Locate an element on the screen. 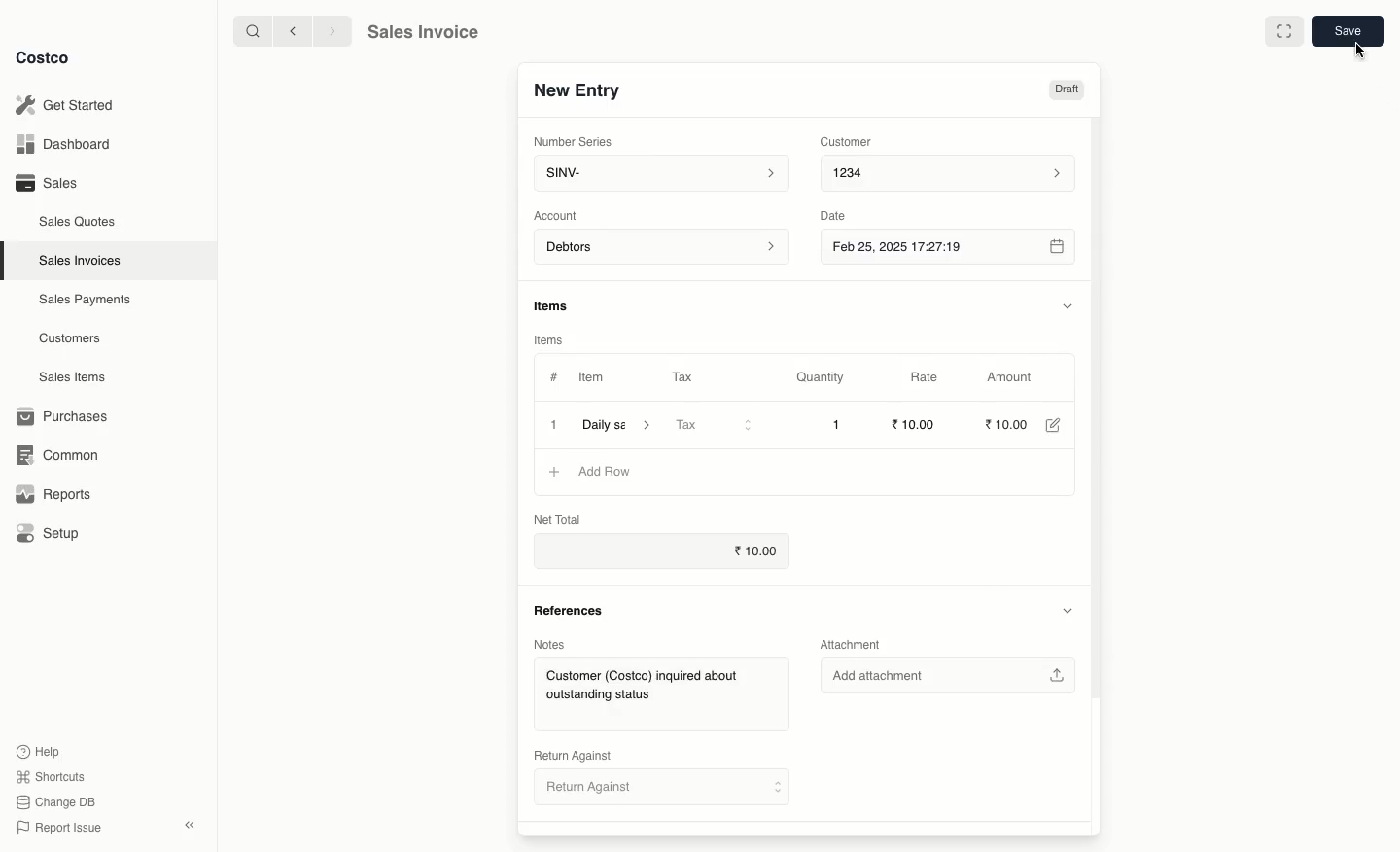 Image resolution: width=1400 pixels, height=852 pixels. Save is located at coordinates (1348, 31).